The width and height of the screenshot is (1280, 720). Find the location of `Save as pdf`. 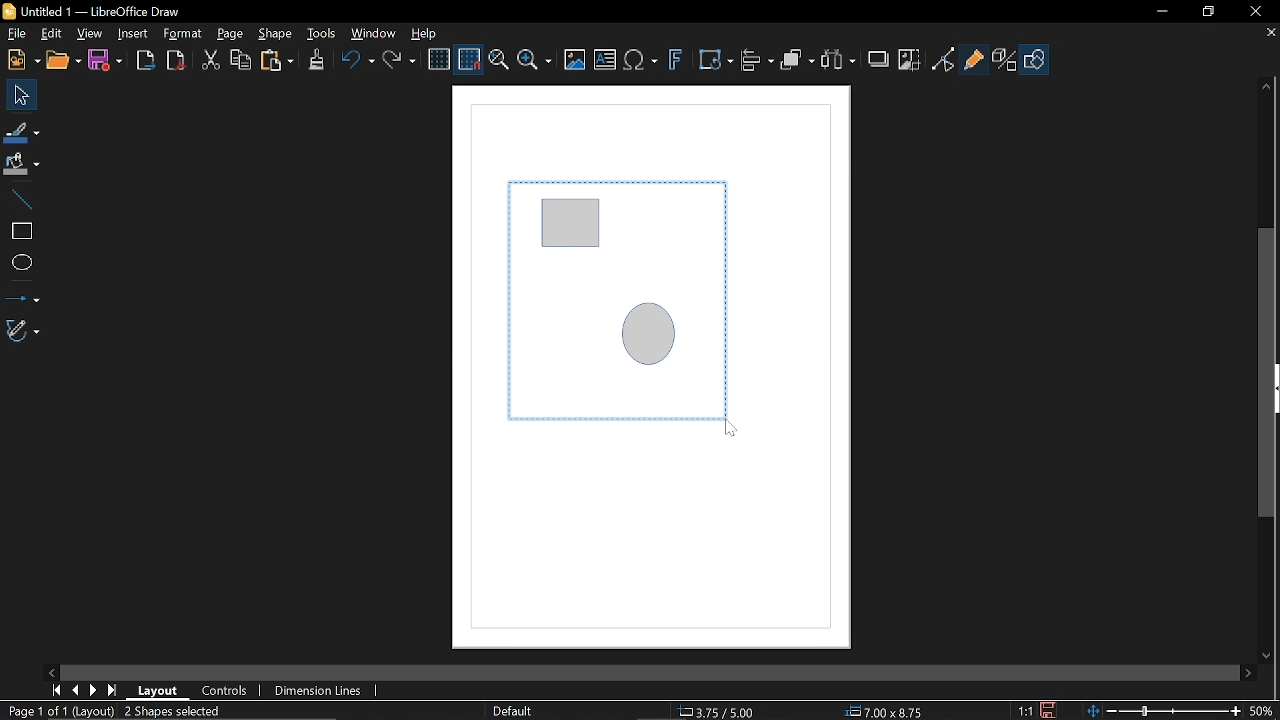

Save as pdf is located at coordinates (175, 60).